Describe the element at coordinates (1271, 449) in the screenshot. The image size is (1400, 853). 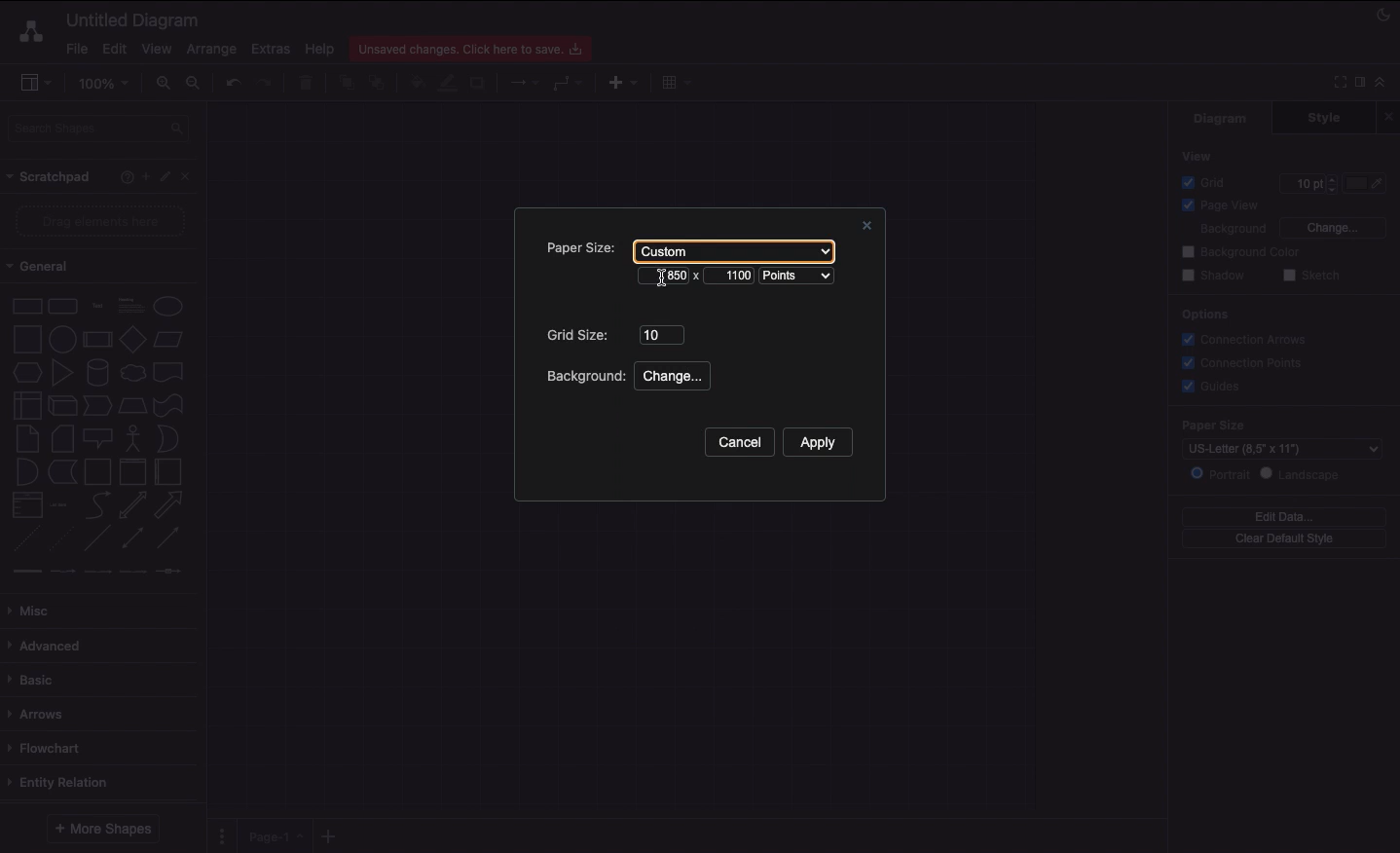
I see `US-Letter (8.5" x 11")` at that location.